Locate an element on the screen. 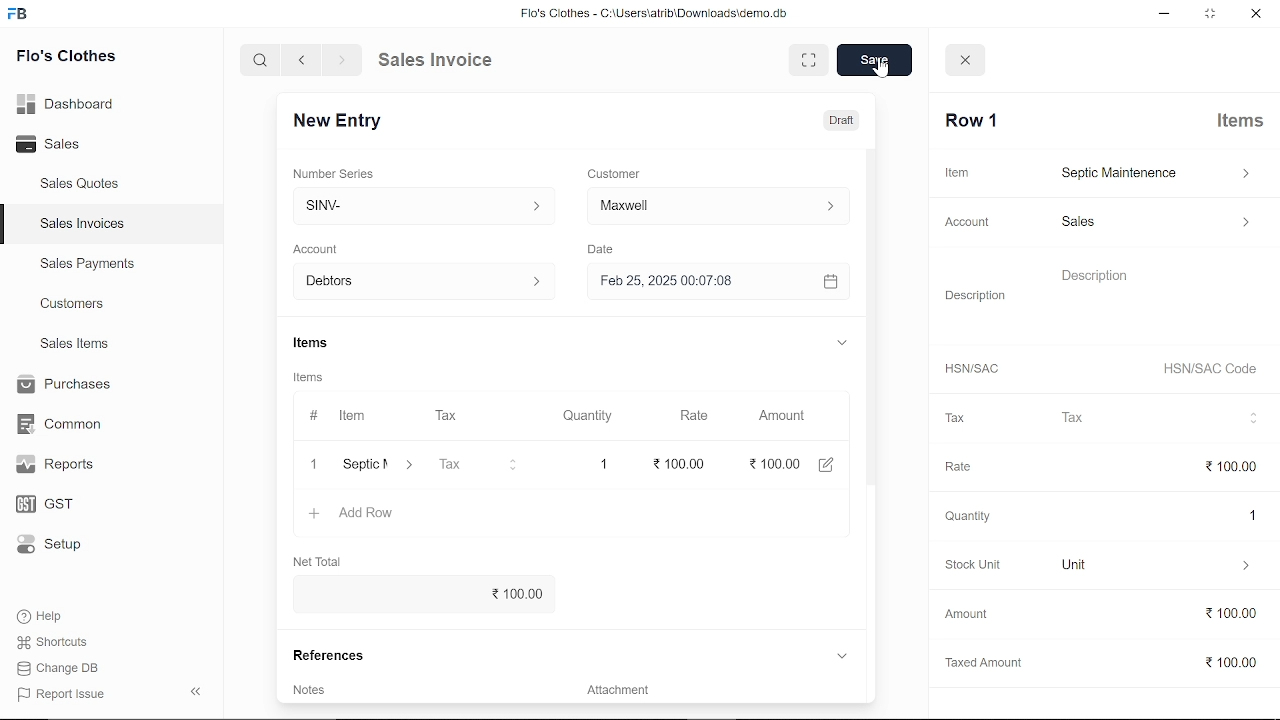  HSN/SAC Code is located at coordinates (1210, 371).